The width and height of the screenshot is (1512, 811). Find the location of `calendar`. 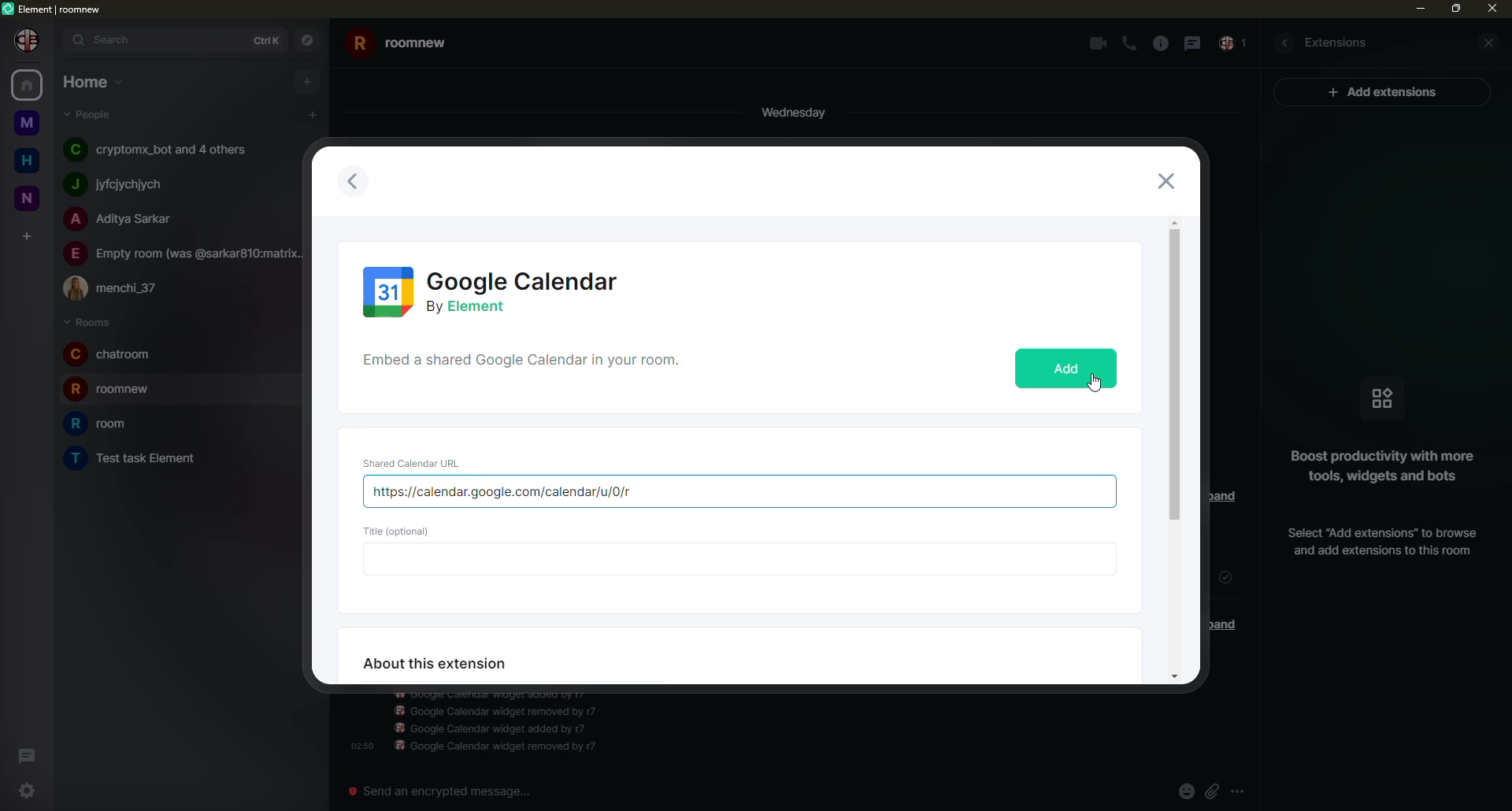

calendar is located at coordinates (495, 289).